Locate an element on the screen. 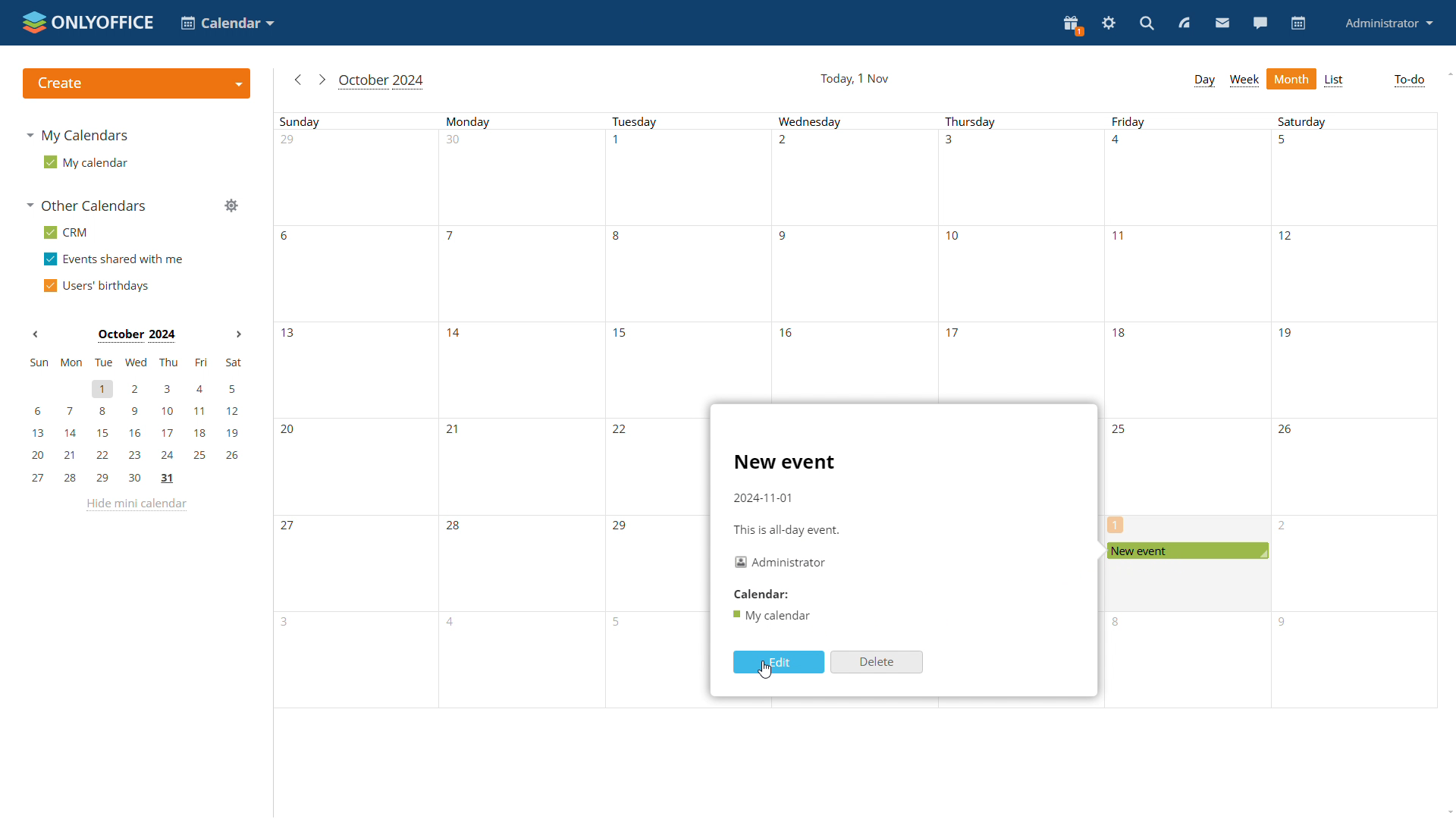 The width and height of the screenshot is (1456, 819). scroll down is located at coordinates (1451, 809).